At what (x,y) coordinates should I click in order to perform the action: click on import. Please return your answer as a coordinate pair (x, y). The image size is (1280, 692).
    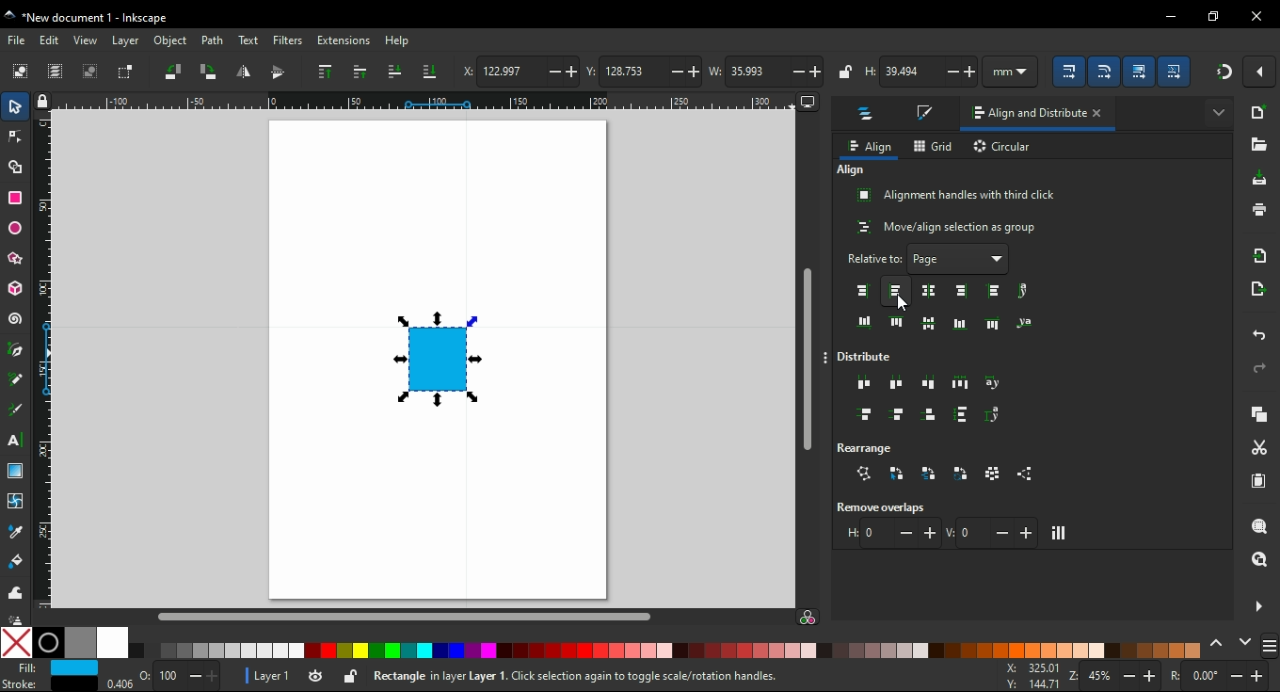
    Looking at the image, I should click on (1259, 255).